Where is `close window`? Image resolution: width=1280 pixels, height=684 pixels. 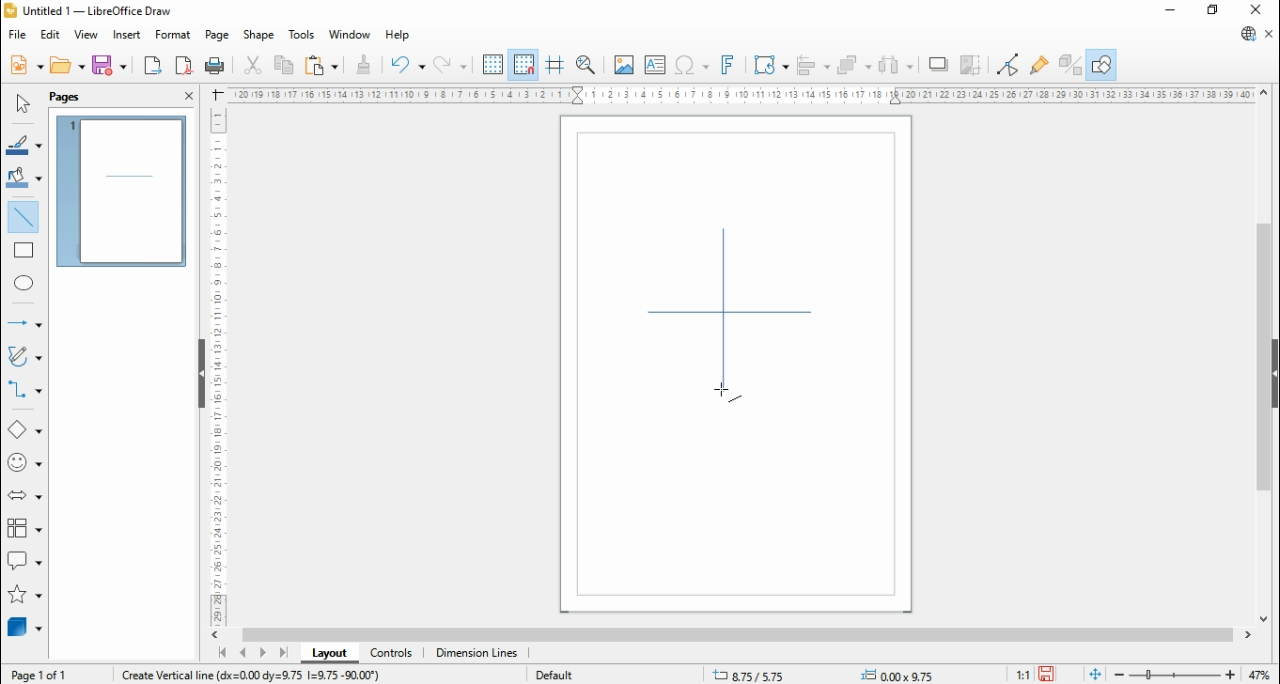
close window is located at coordinates (1253, 10).